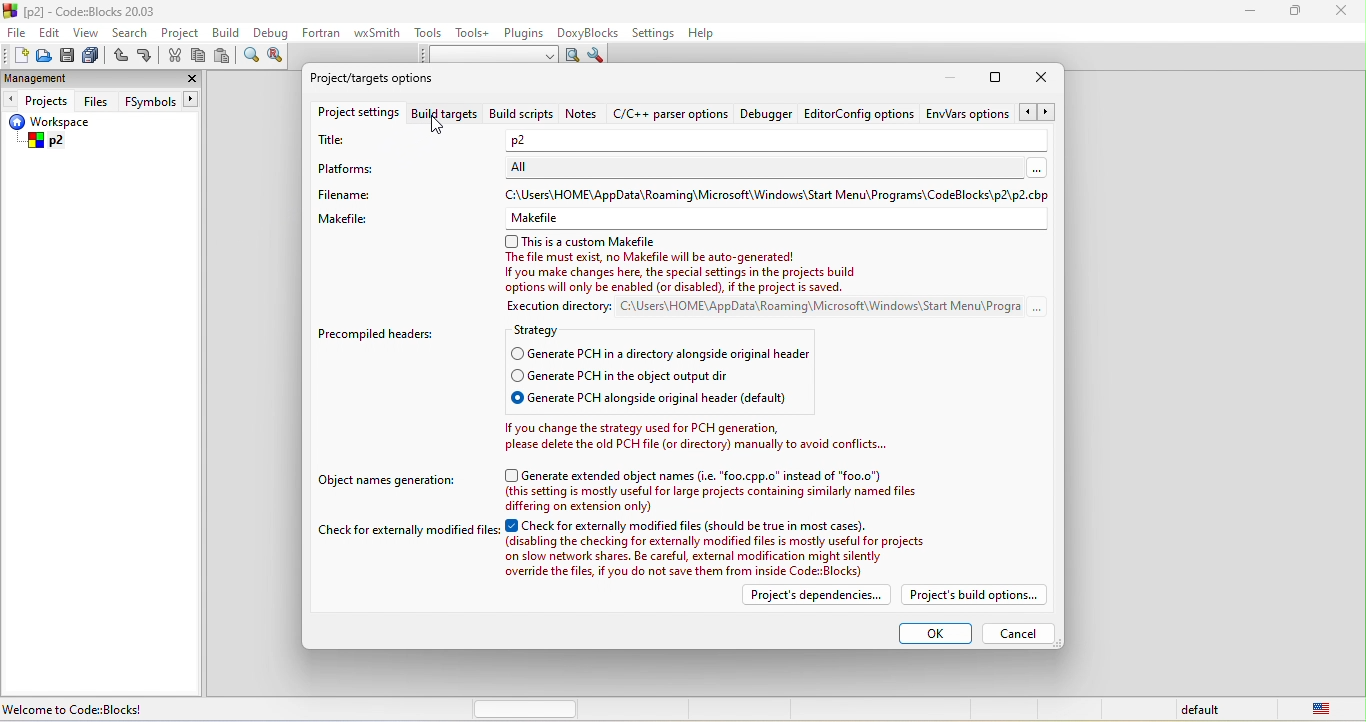  I want to click on undo, so click(122, 56).